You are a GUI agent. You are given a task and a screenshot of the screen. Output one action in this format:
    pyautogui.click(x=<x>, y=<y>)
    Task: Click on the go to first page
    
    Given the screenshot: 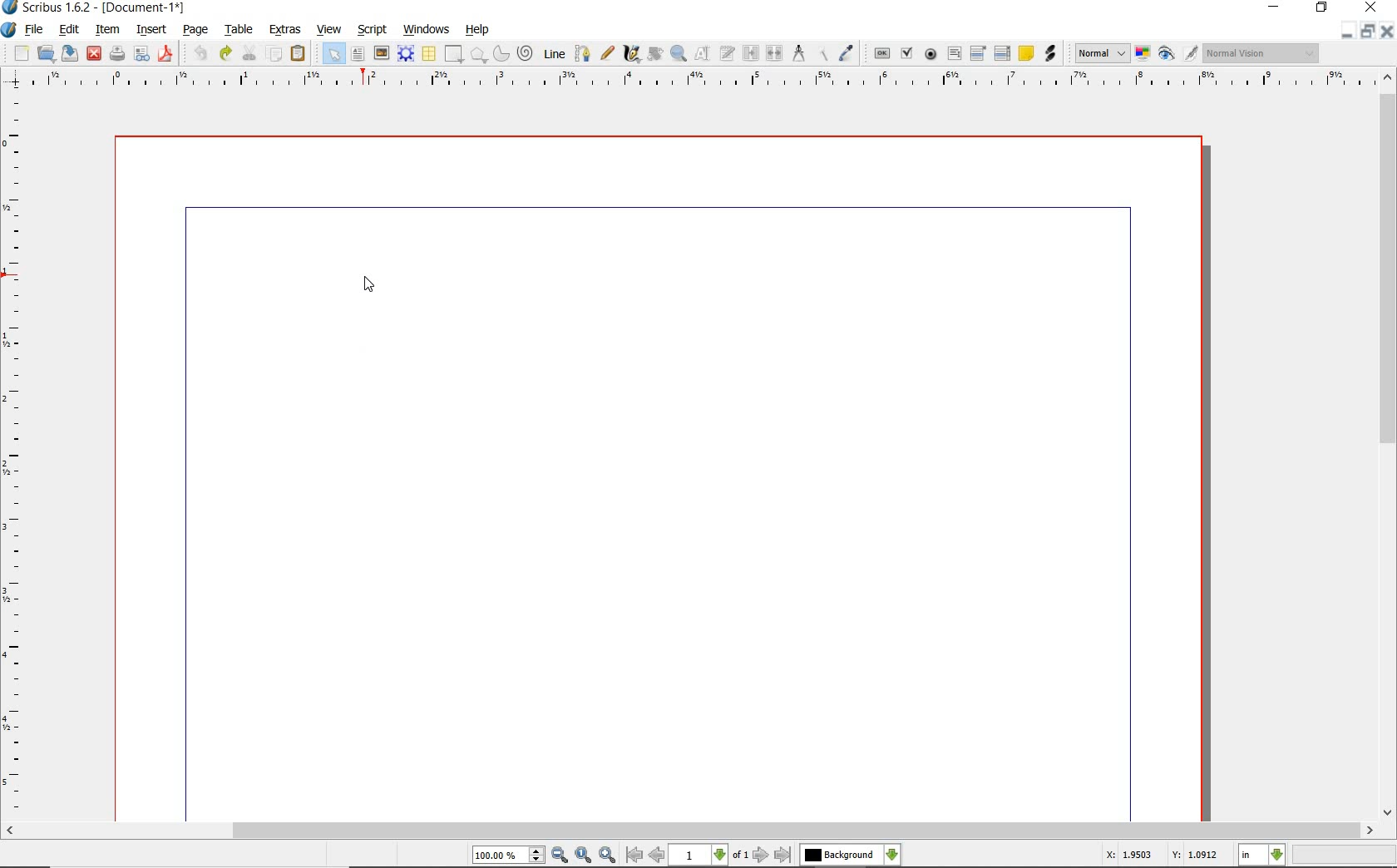 What is the action you would take?
    pyautogui.click(x=634, y=856)
    